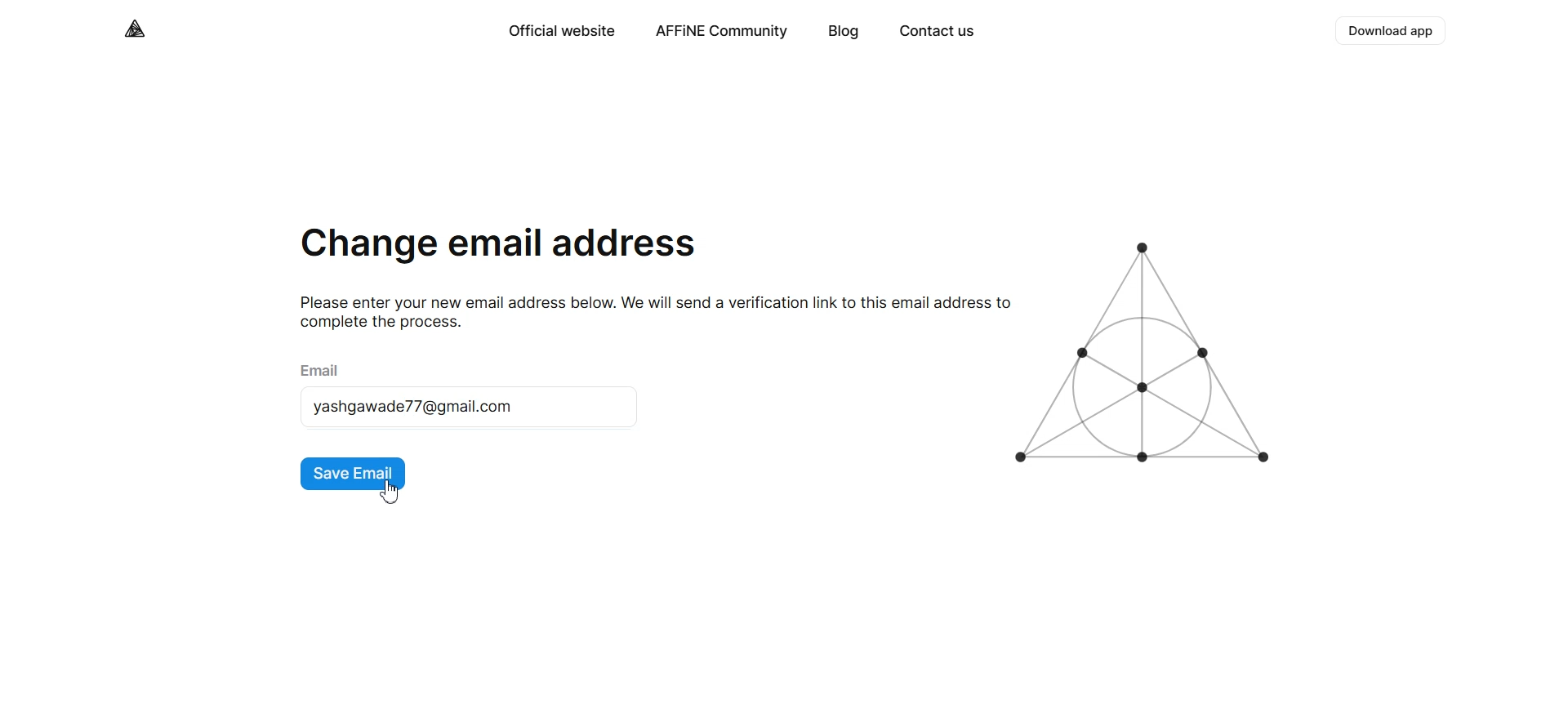 This screenshot has height=709, width=1568. I want to click on Blog, so click(844, 33).